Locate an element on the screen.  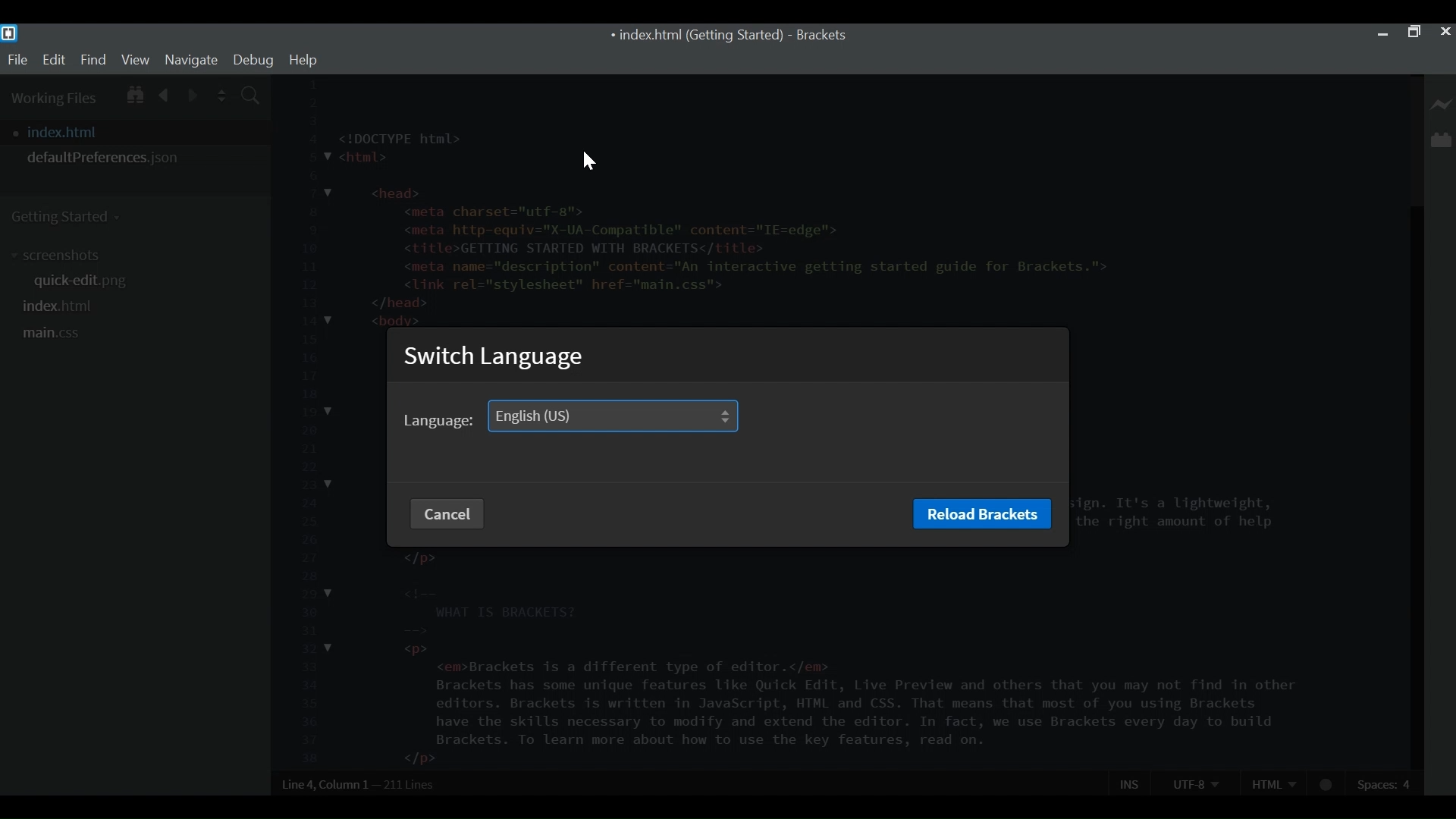
Split the File Vertically or Horizontally is located at coordinates (222, 96).